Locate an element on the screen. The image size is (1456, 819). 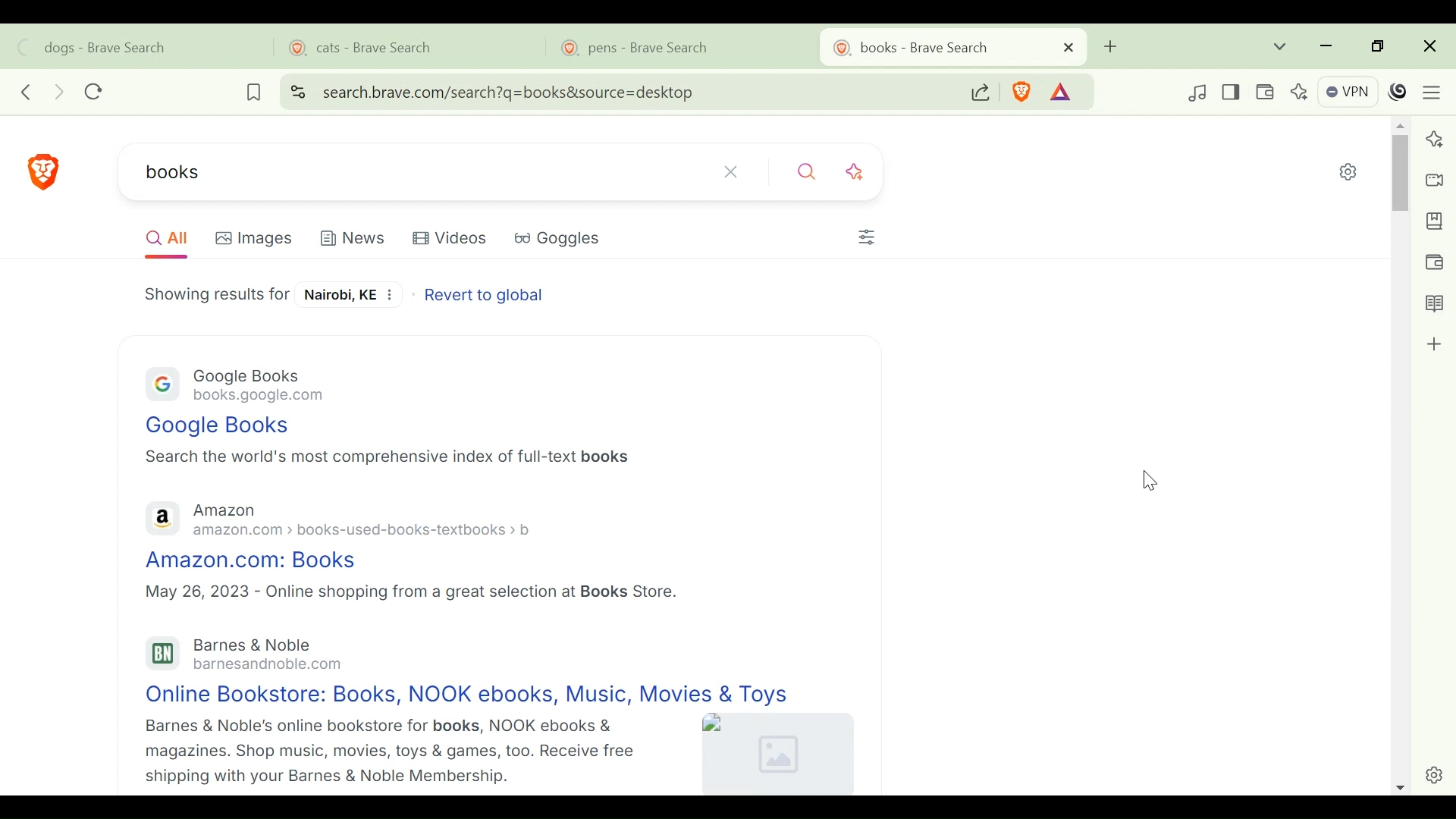
Online Bookstore: Books, NOOK ebooks, Music, Movies & Toys is located at coordinates (482, 690).